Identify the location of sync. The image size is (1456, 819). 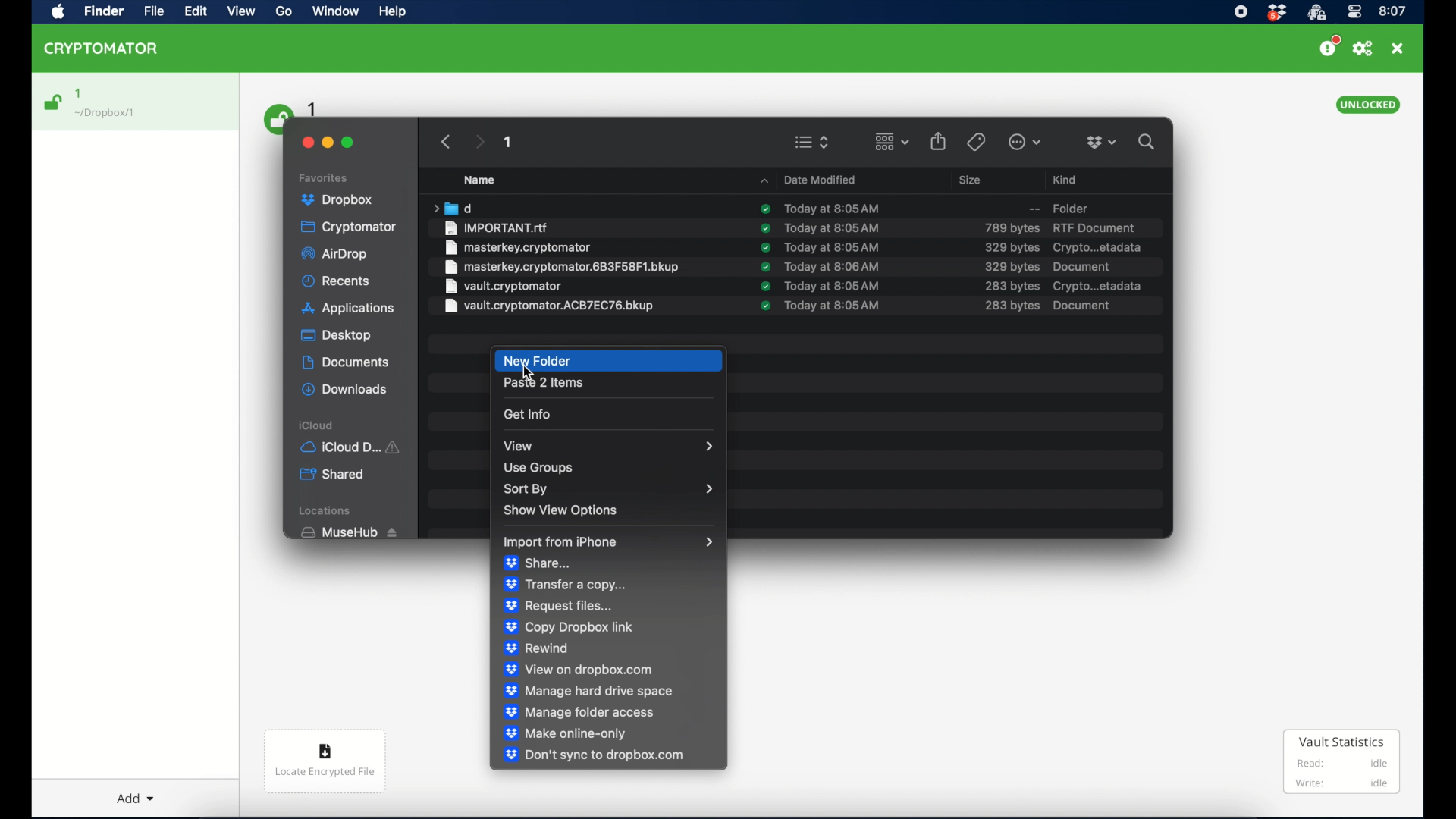
(765, 227).